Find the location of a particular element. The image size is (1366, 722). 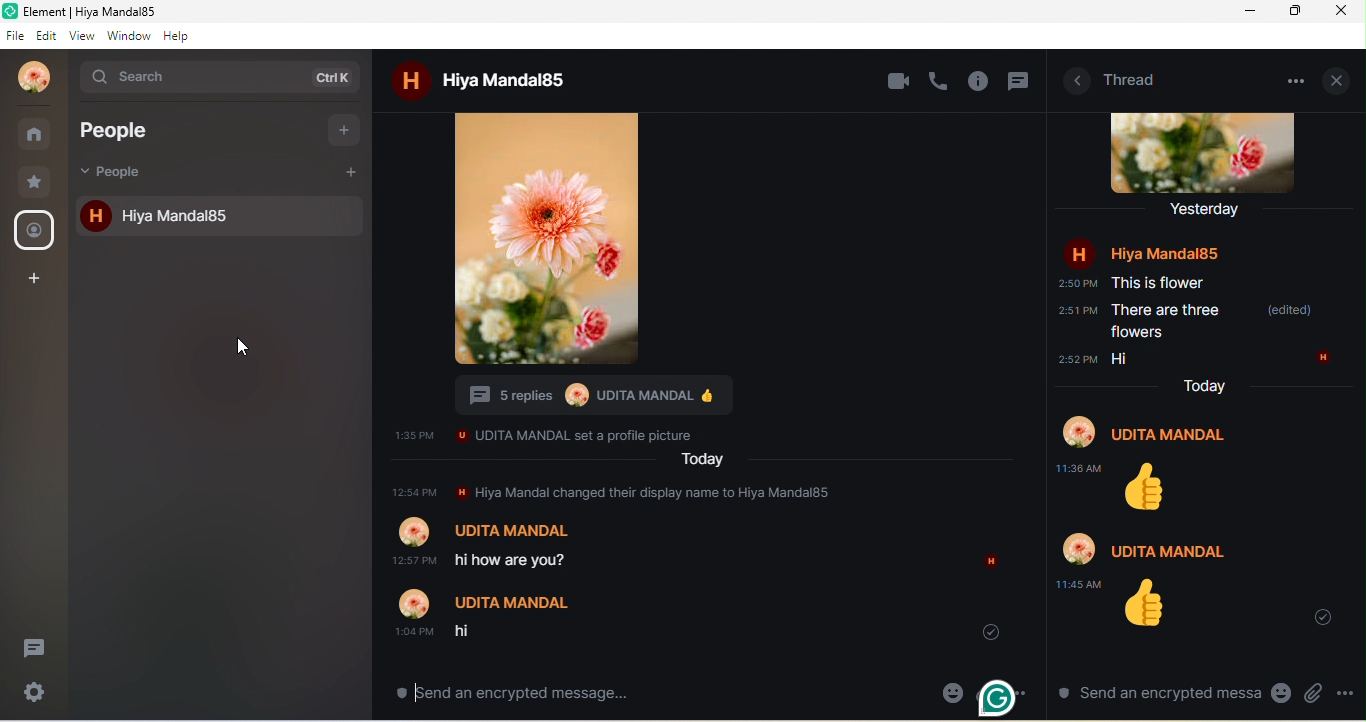

Profile picture is located at coordinates (575, 395).